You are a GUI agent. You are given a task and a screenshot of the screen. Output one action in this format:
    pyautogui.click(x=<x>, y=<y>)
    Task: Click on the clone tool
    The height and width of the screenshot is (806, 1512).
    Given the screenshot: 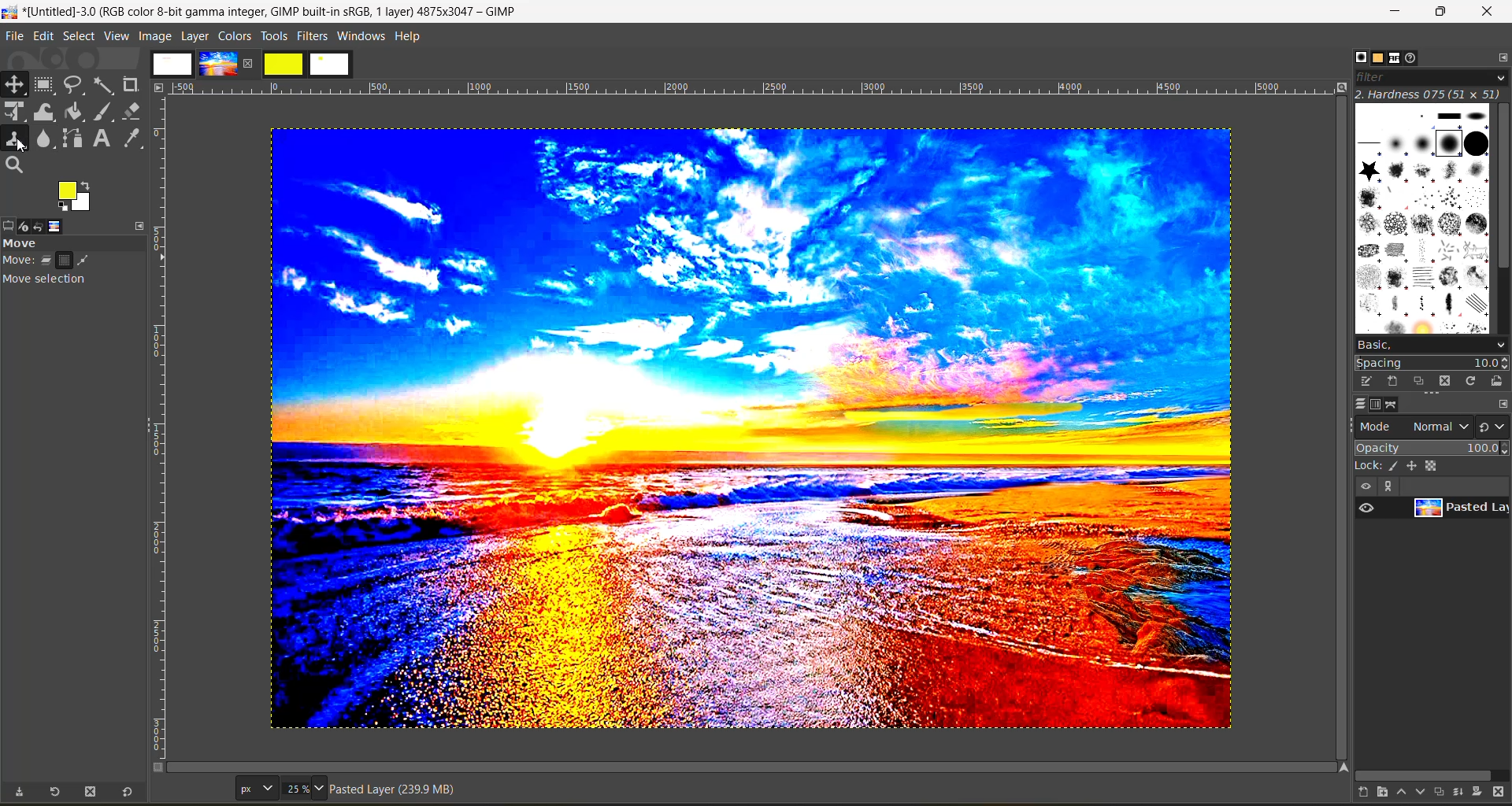 What is the action you would take?
    pyautogui.click(x=15, y=139)
    